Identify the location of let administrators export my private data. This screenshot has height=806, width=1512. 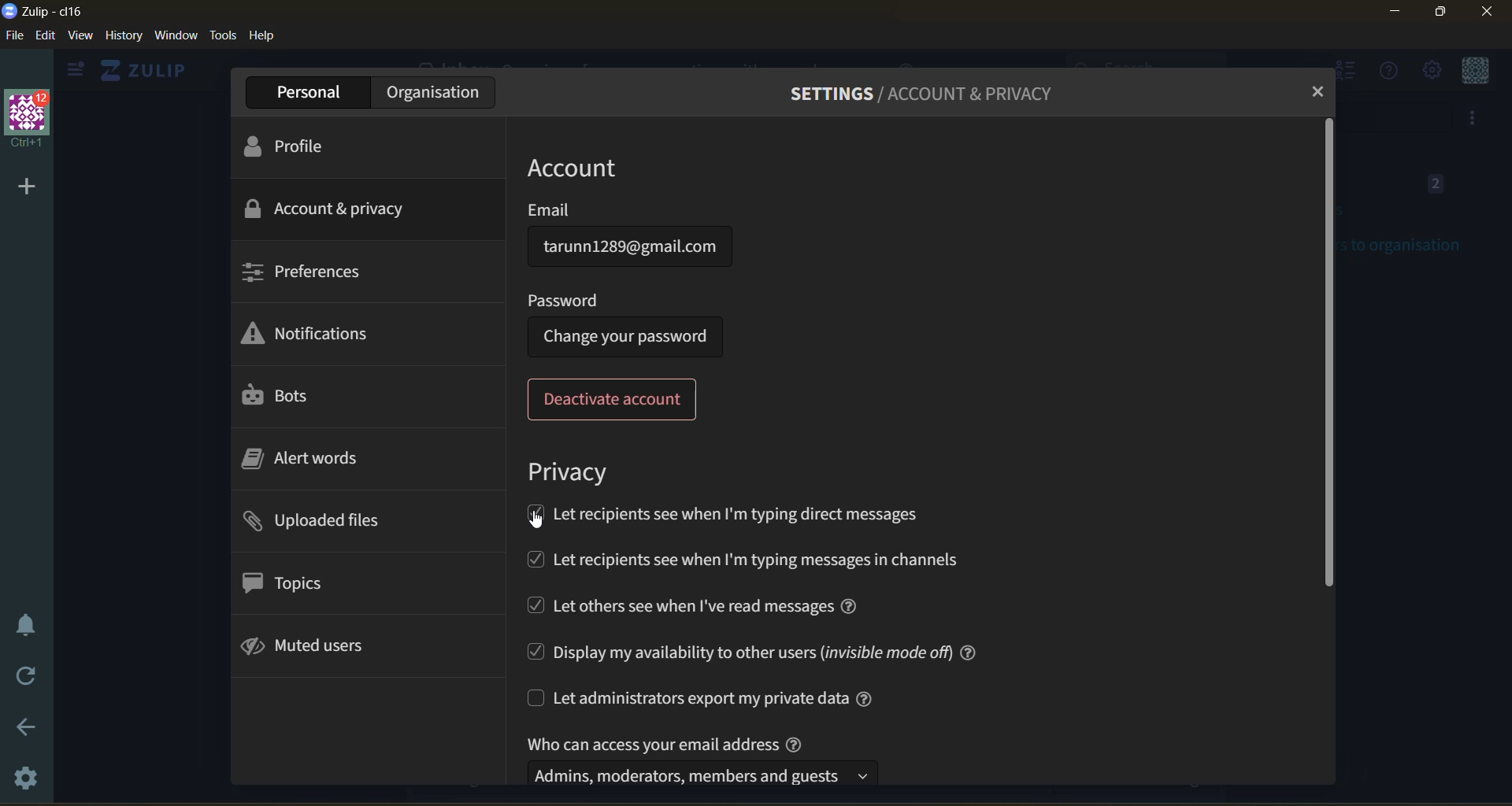
(717, 698).